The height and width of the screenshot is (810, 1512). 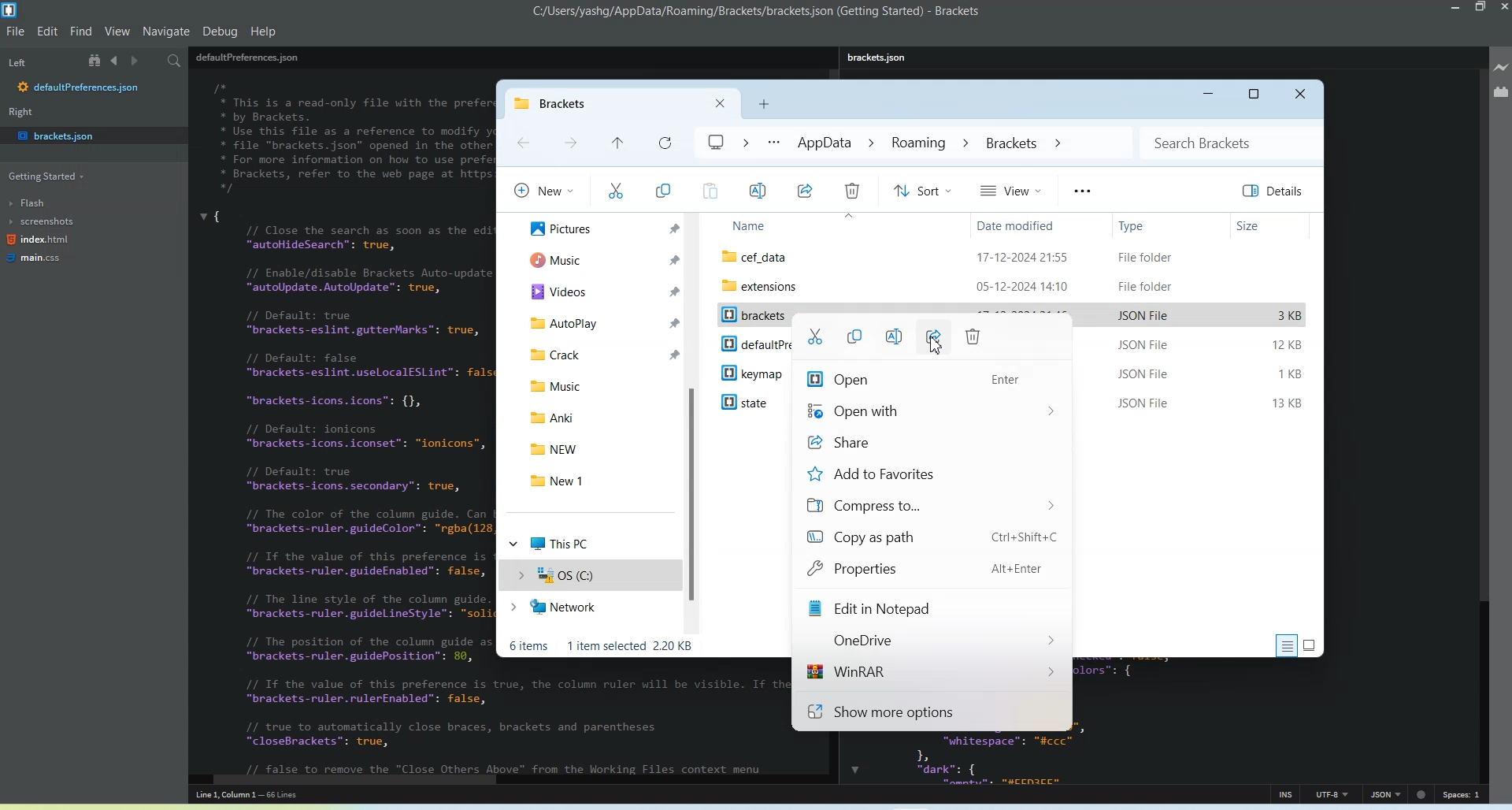 I want to click on Minimize, so click(x=1206, y=95).